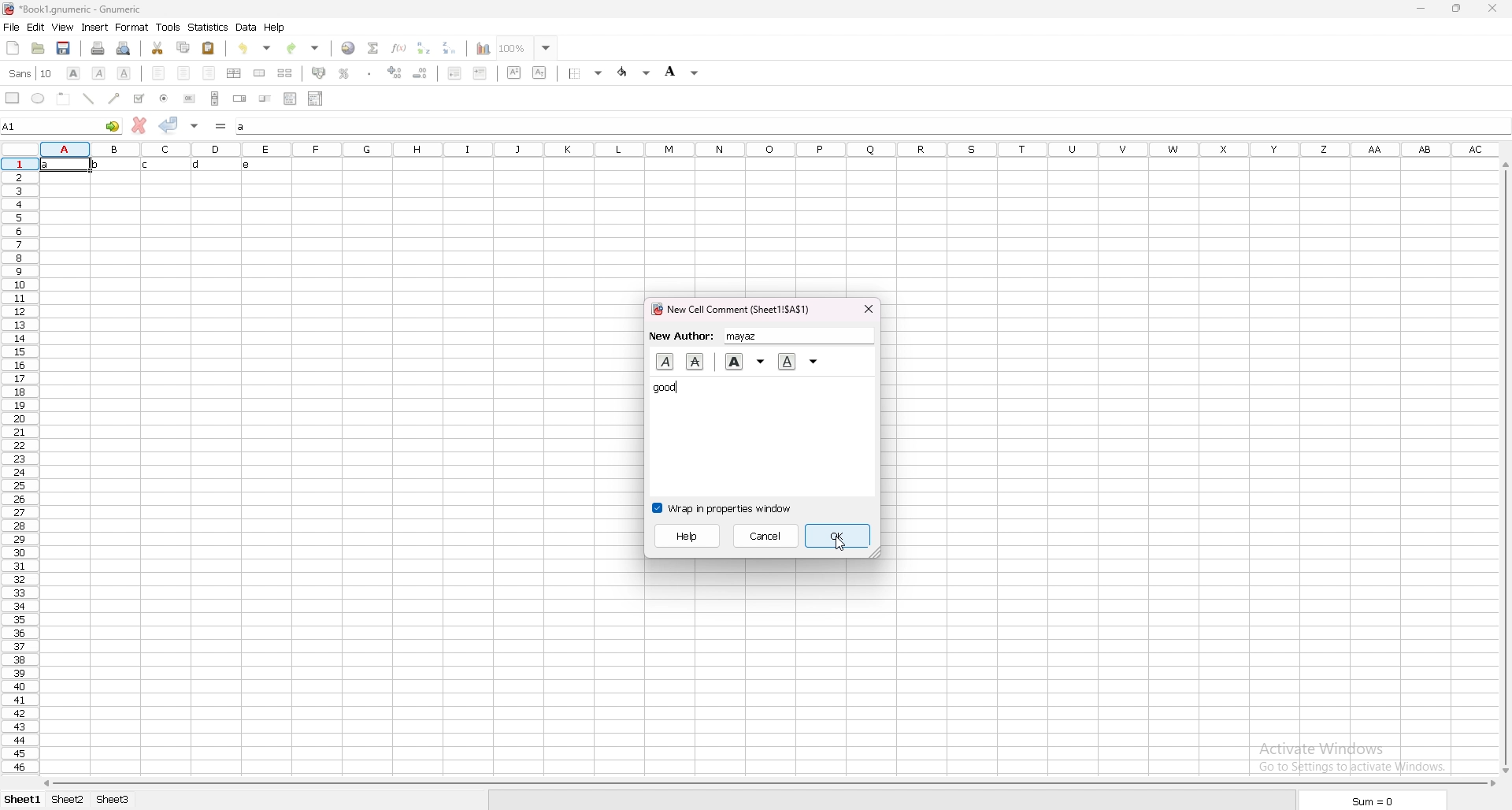 The width and height of the screenshot is (1512, 810). What do you see at coordinates (62, 27) in the screenshot?
I see `view` at bounding box center [62, 27].